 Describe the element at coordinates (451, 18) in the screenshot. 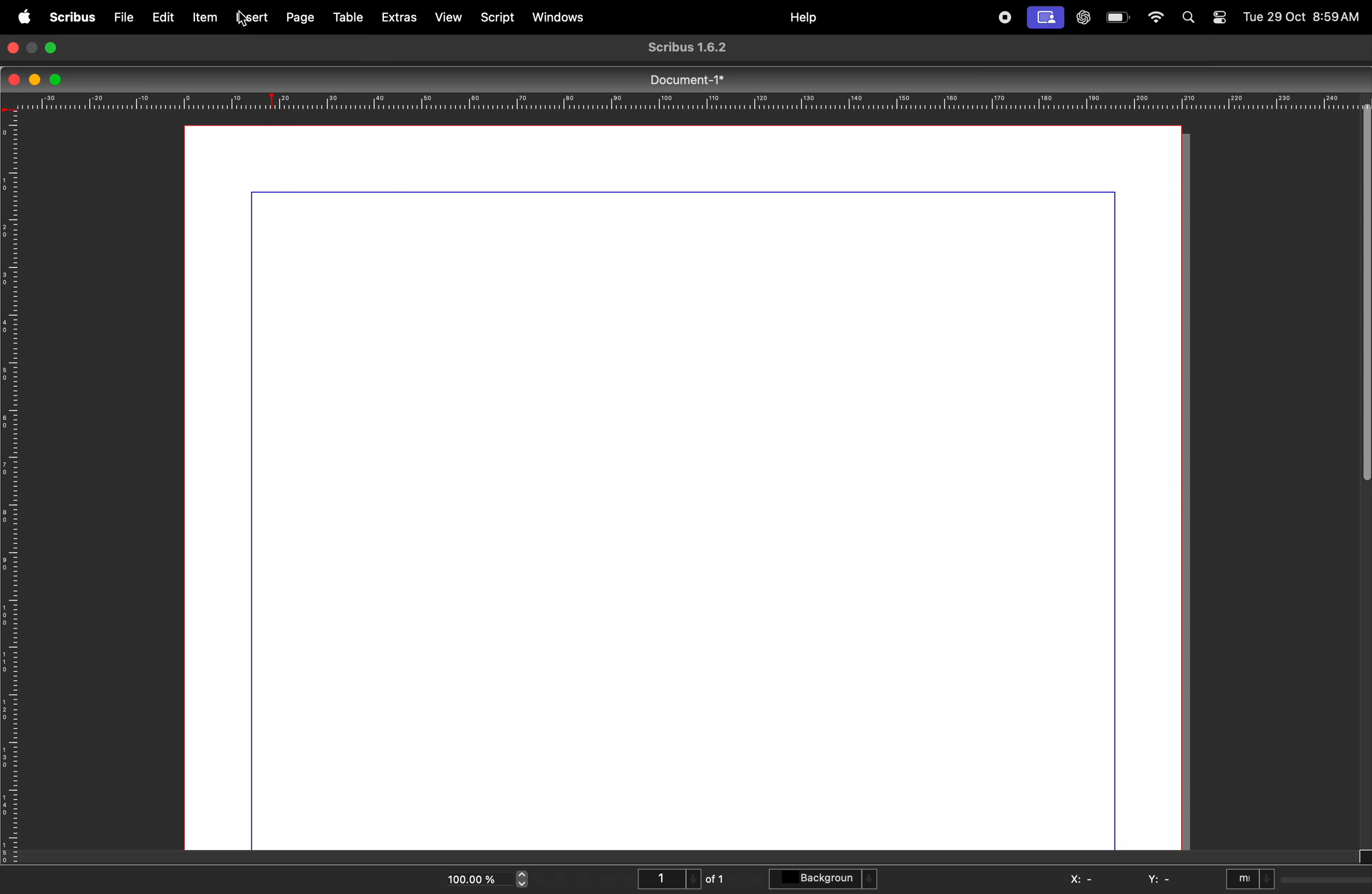

I see `view` at that location.